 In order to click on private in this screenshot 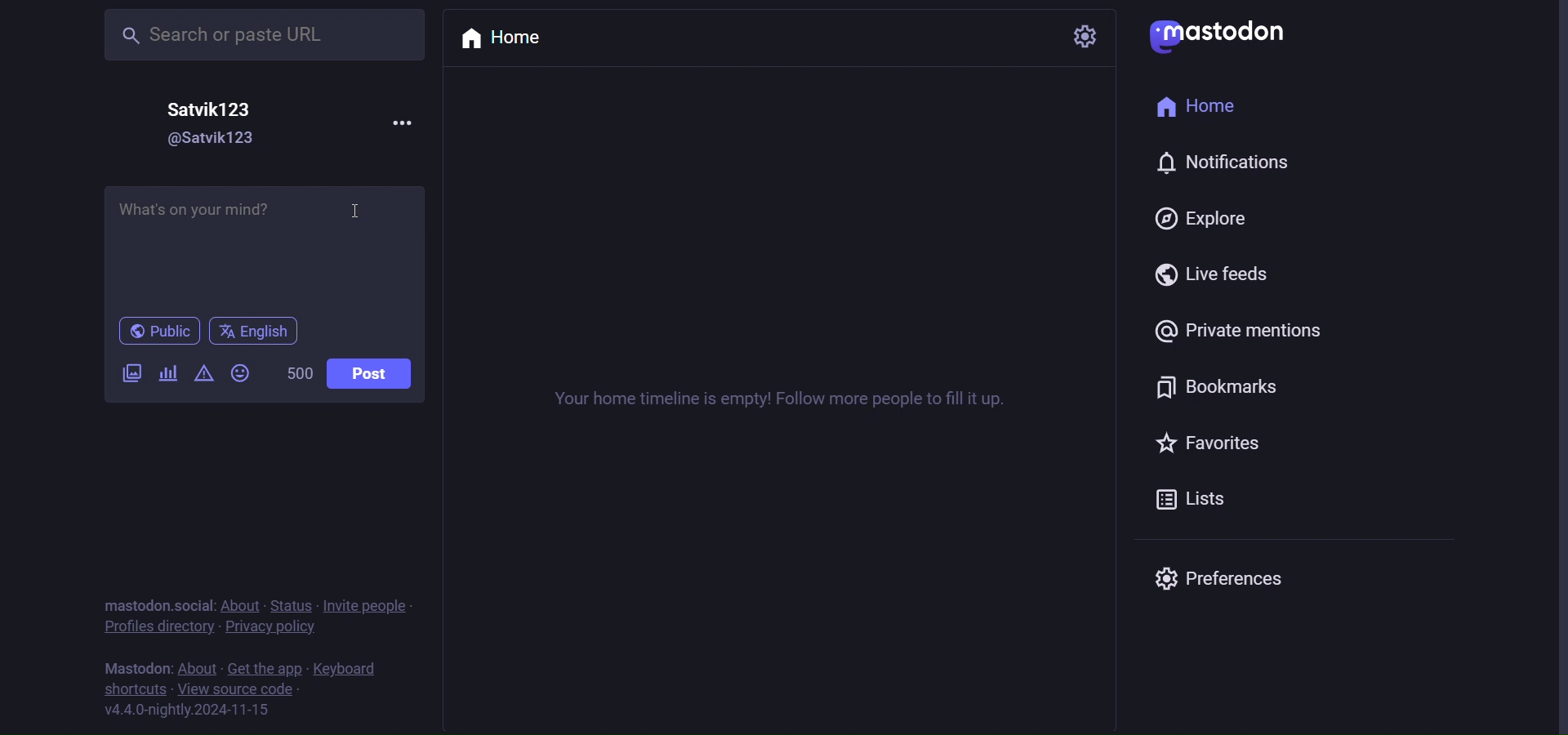, I will do `click(1247, 332)`.